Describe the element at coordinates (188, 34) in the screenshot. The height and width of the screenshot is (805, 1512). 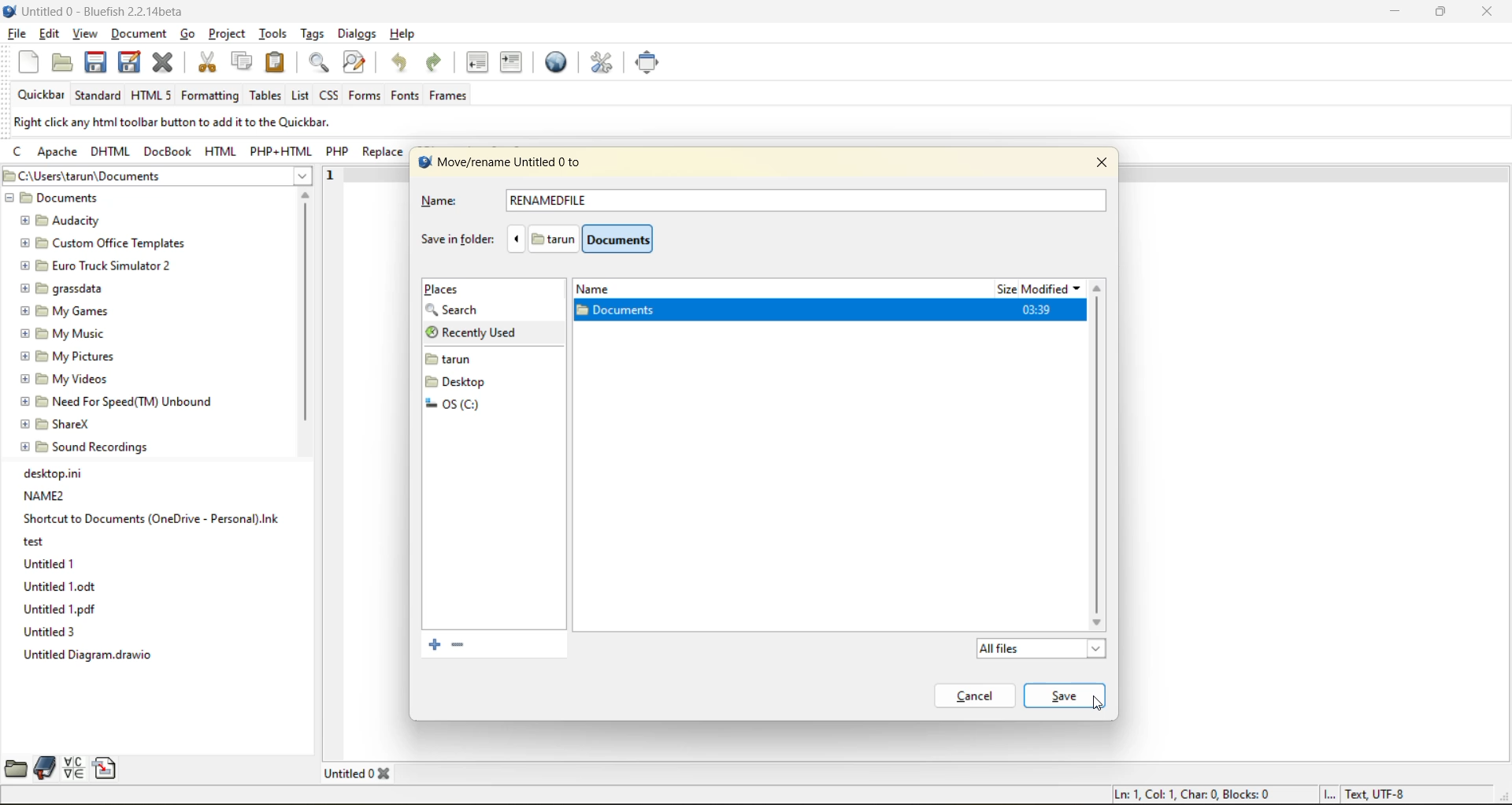
I see `go` at that location.